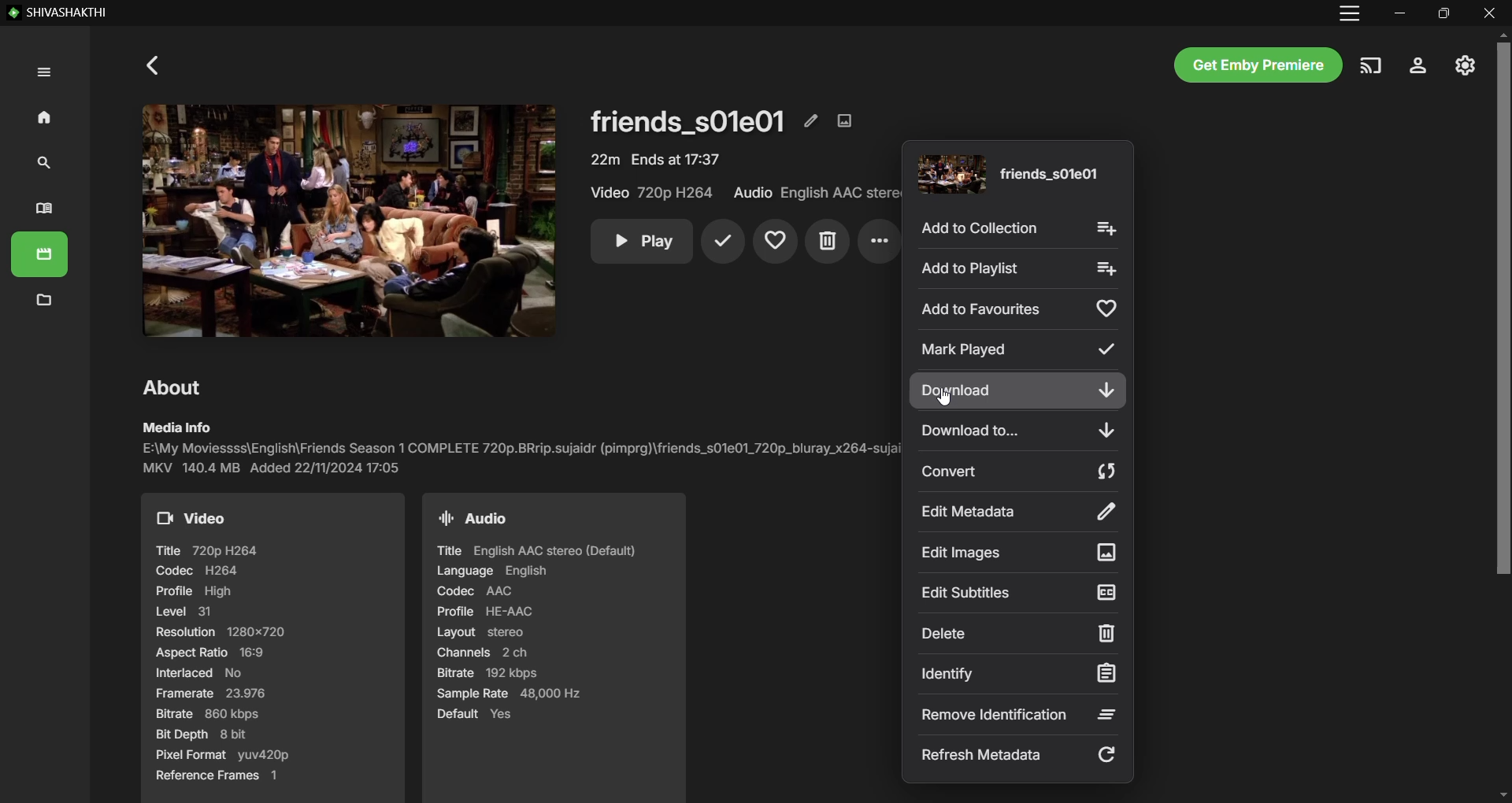 Image resolution: width=1512 pixels, height=803 pixels. What do you see at coordinates (827, 242) in the screenshot?
I see `Delete` at bounding box center [827, 242].